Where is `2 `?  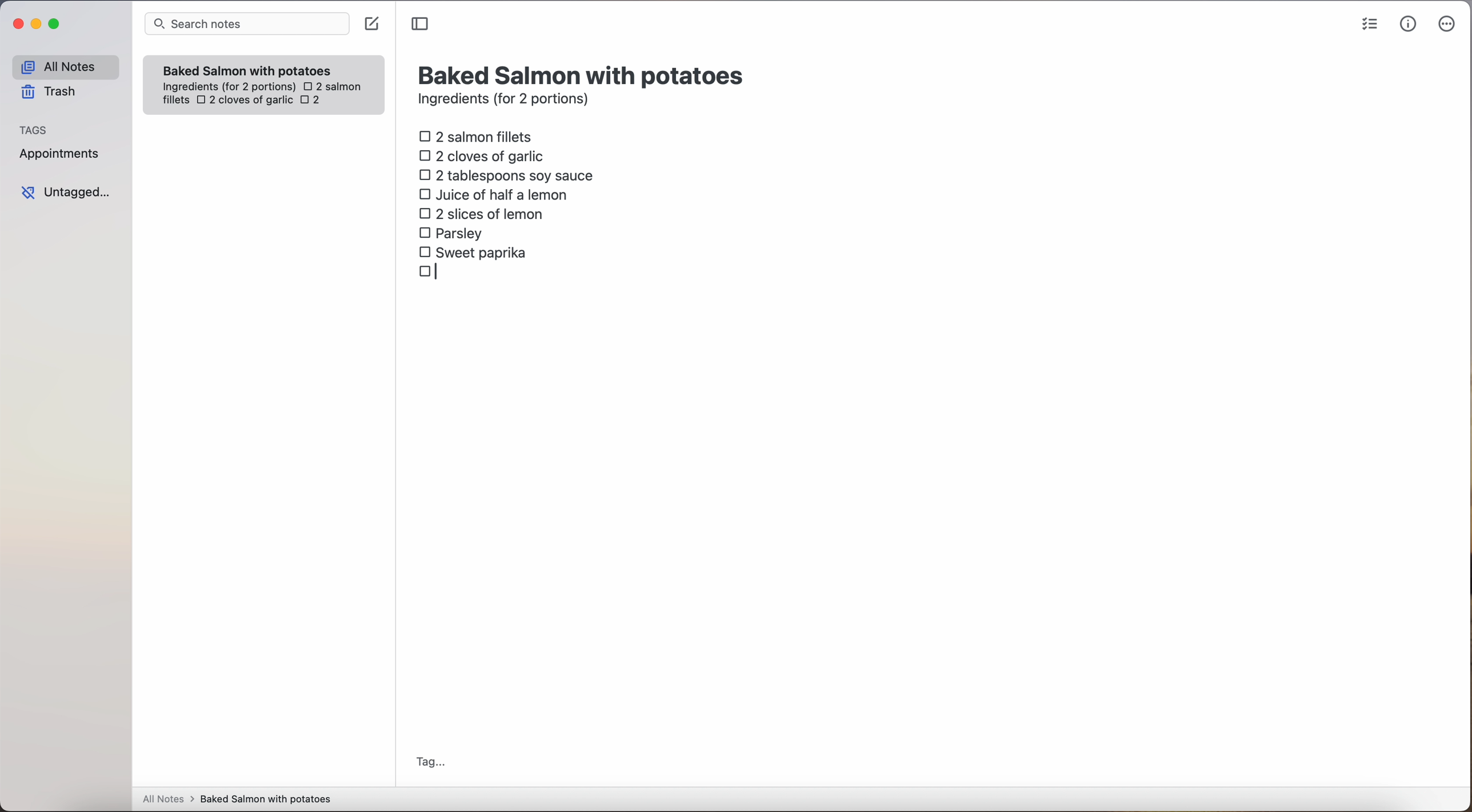 2  is located at coordinates (314, 101).